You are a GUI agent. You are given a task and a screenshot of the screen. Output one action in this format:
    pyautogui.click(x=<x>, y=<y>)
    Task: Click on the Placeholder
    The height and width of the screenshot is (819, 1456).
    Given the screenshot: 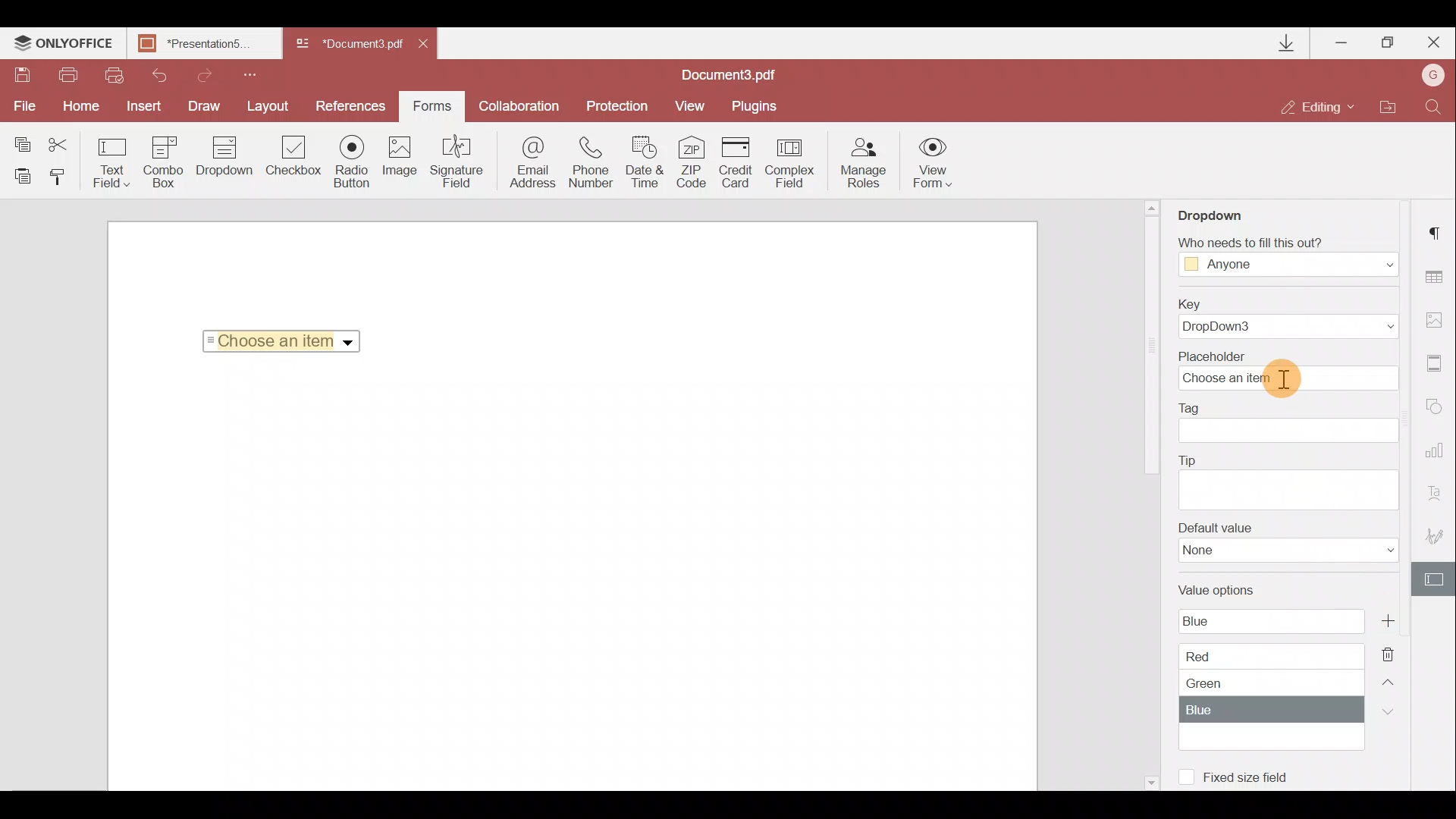 What is the action you would take?
    pyautogui.click(x=1285, y=370)
    